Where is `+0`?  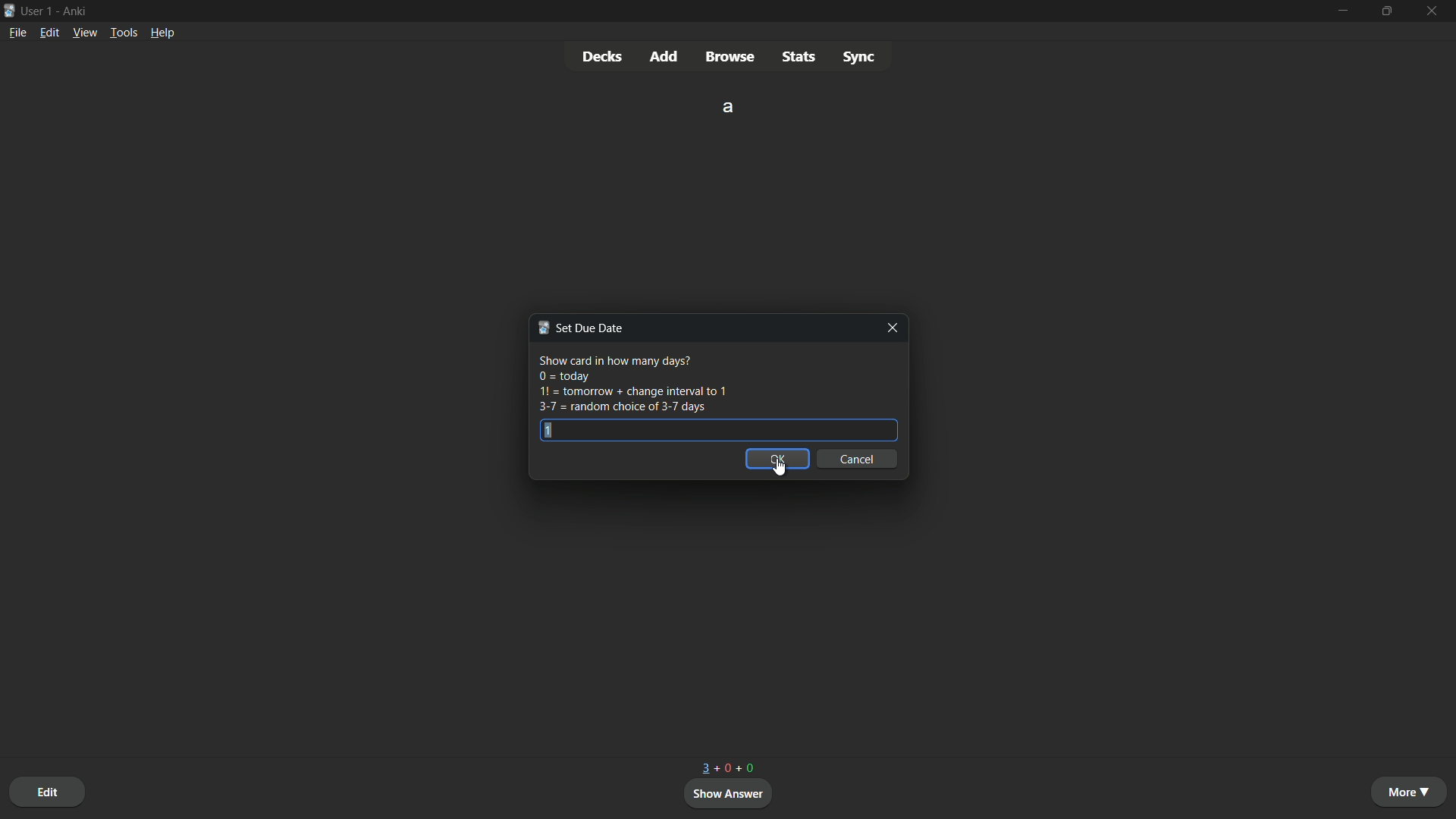 +0 is located at coordinates (751, 768).